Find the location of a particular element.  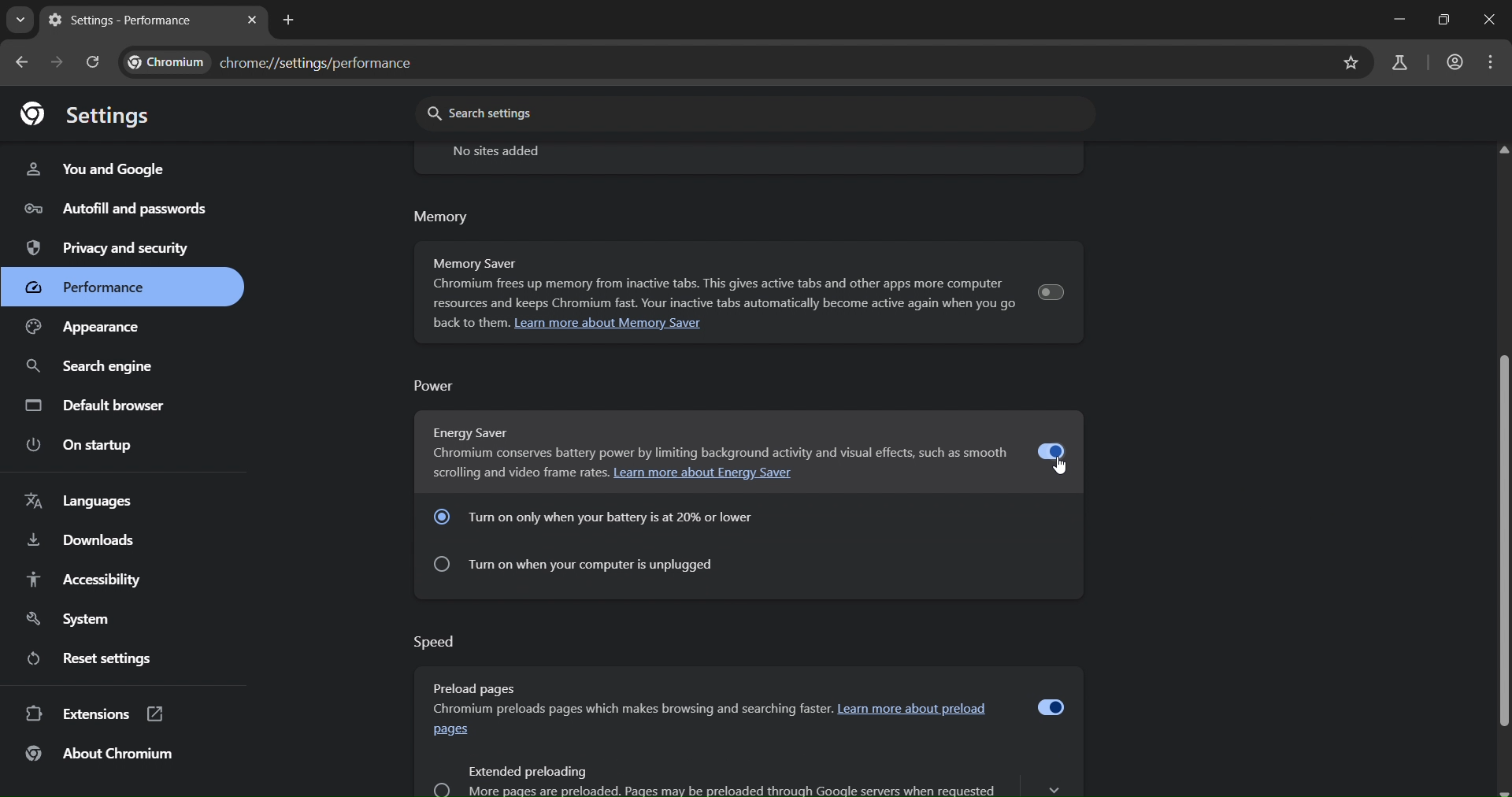

go forward one page is located at coordinates (60, 63).